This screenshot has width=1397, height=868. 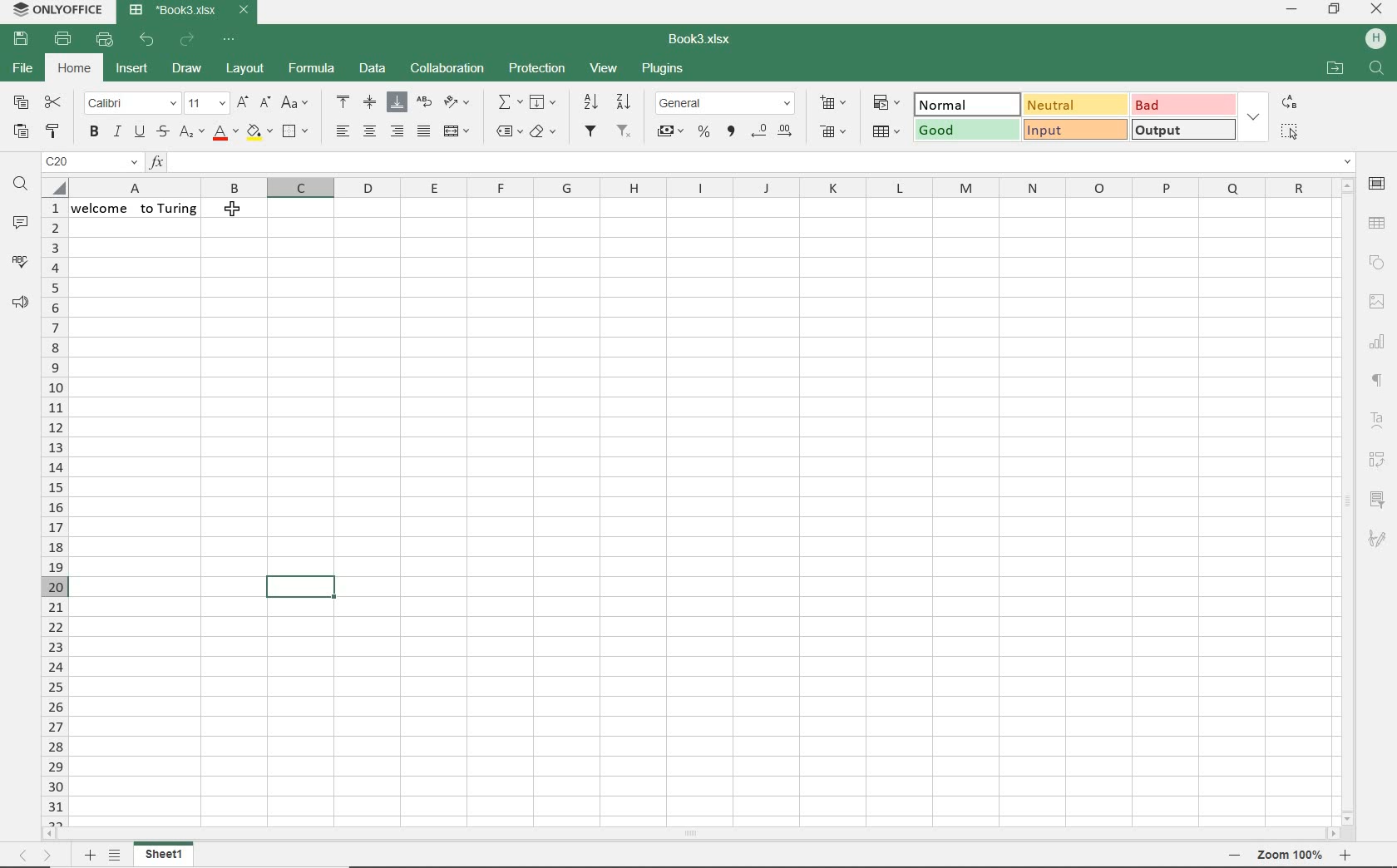 I want to click on print, so click(x=60, y=37).